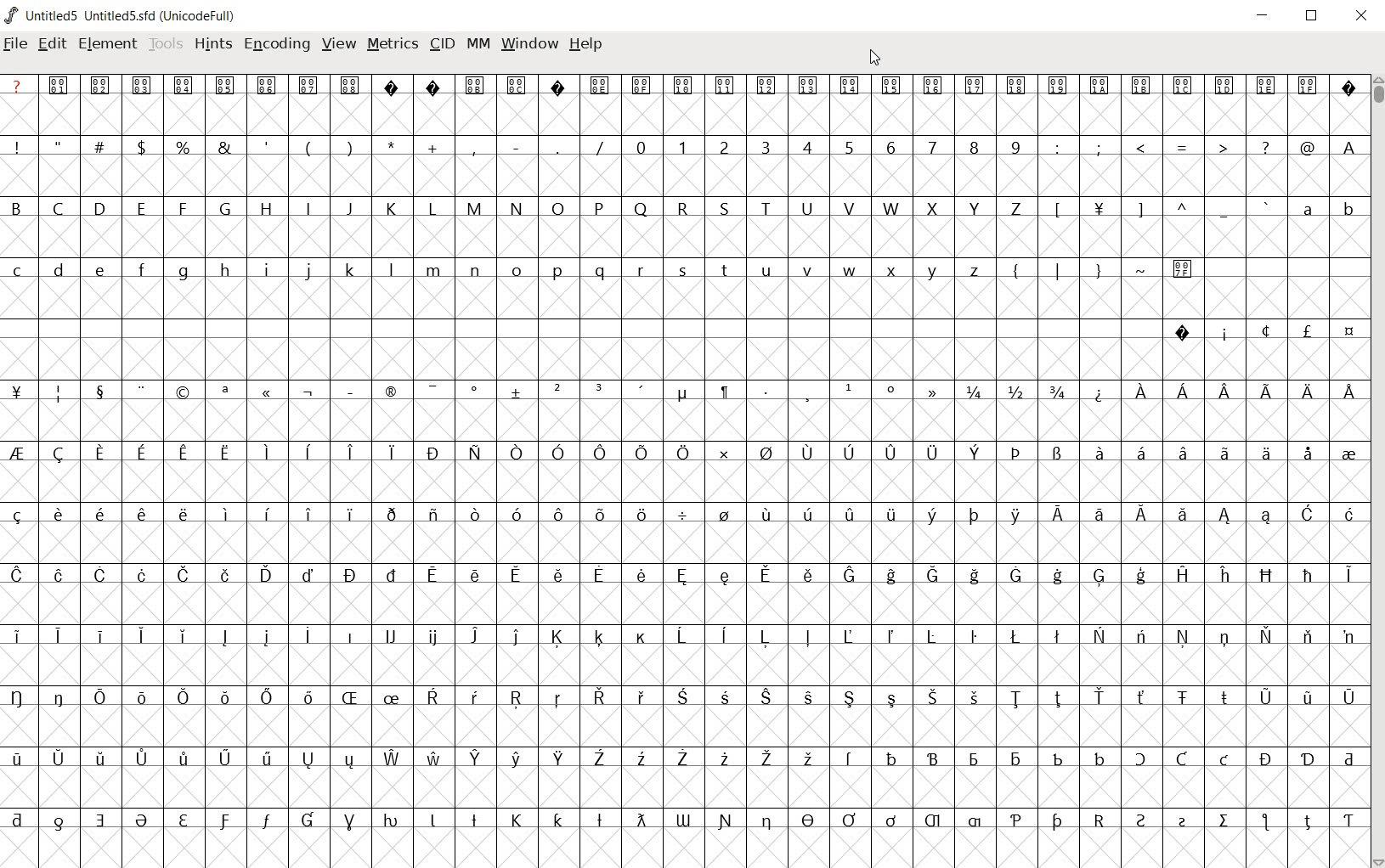 This screenshot has width=1385, height=868. I want to click on Symbol, so click(808, 514).